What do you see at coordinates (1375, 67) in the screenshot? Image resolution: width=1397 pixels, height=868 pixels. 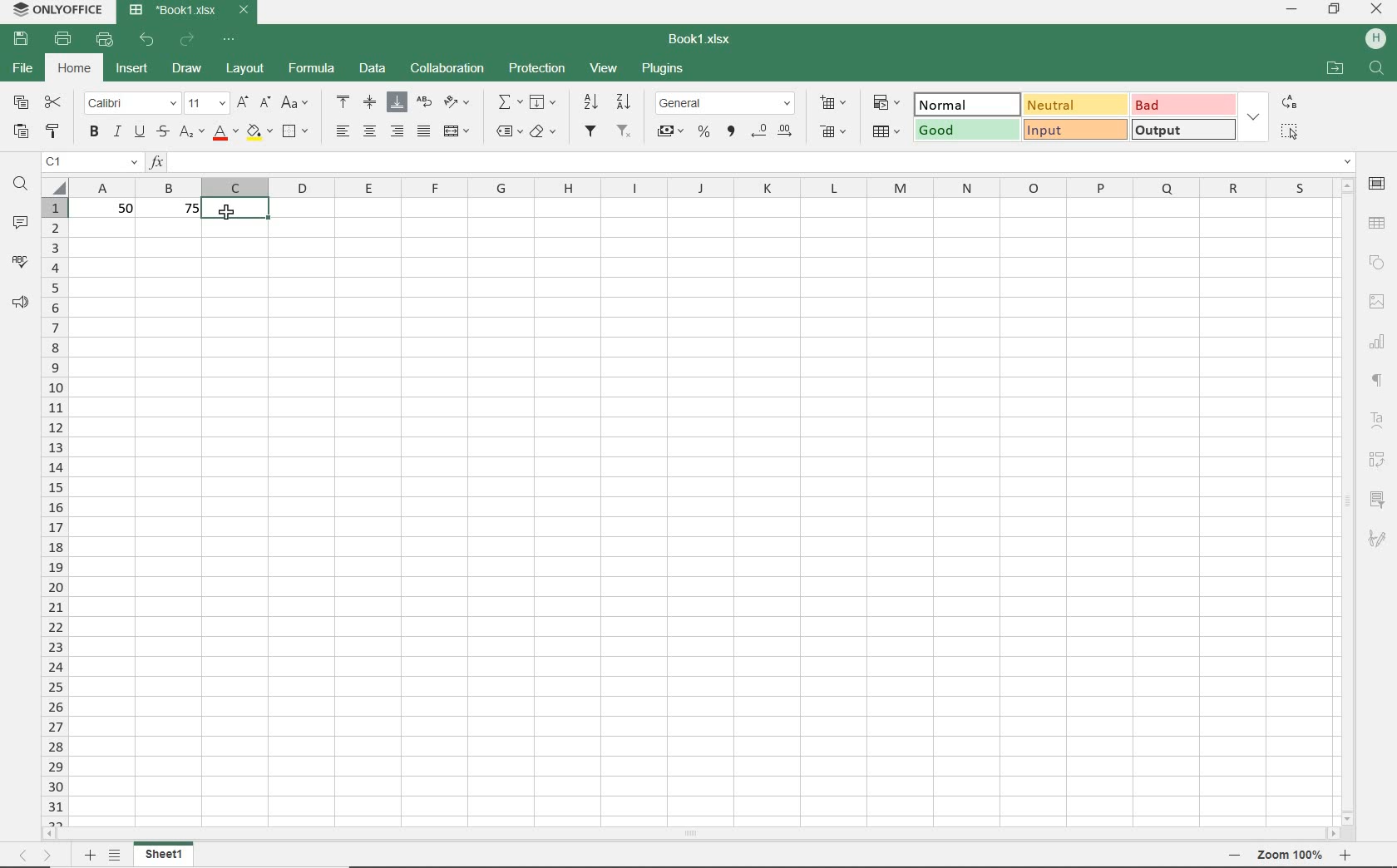 I see `find` at bounding box center [1375, 67].